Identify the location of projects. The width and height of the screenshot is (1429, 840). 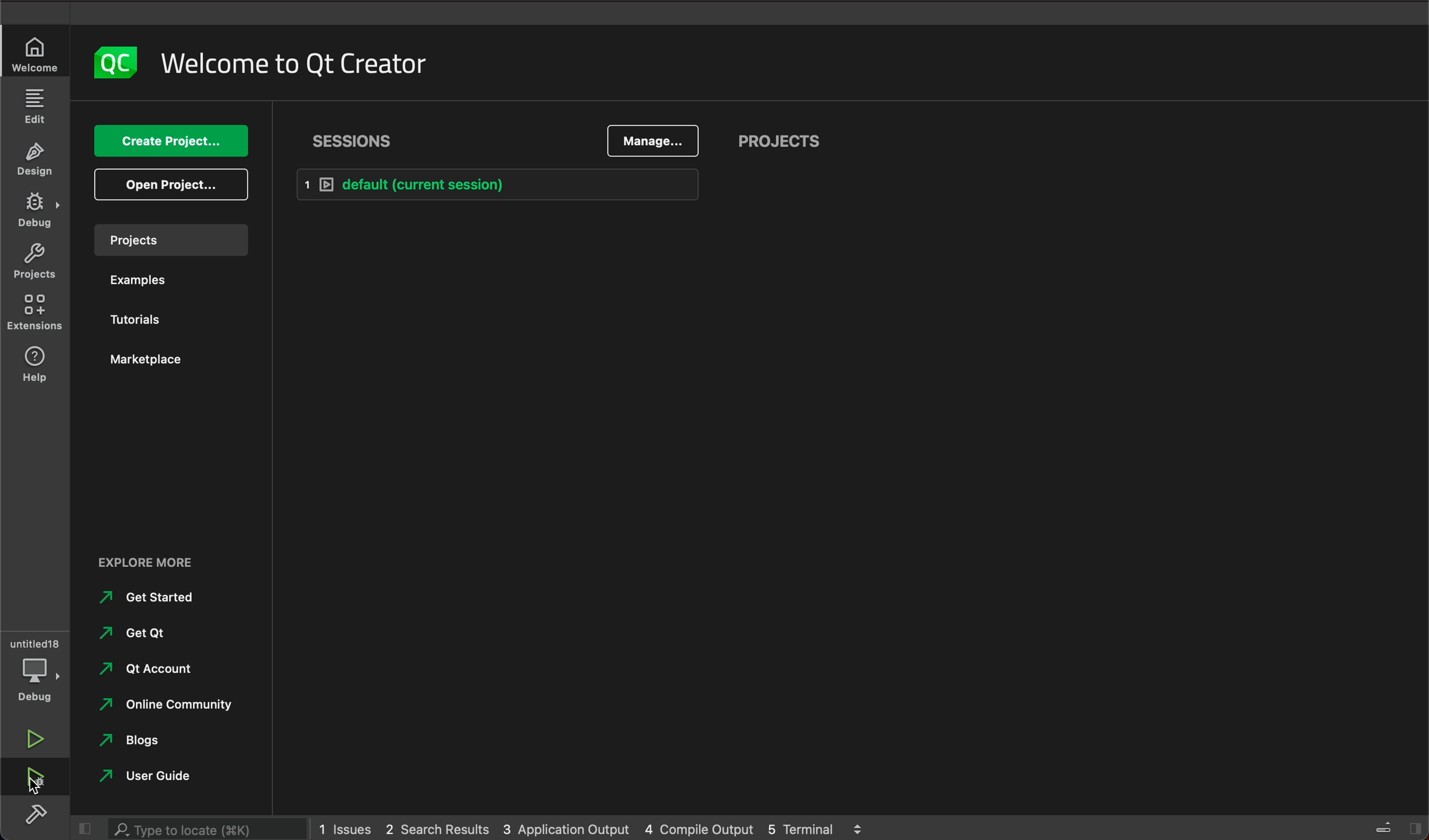
(785, 139).